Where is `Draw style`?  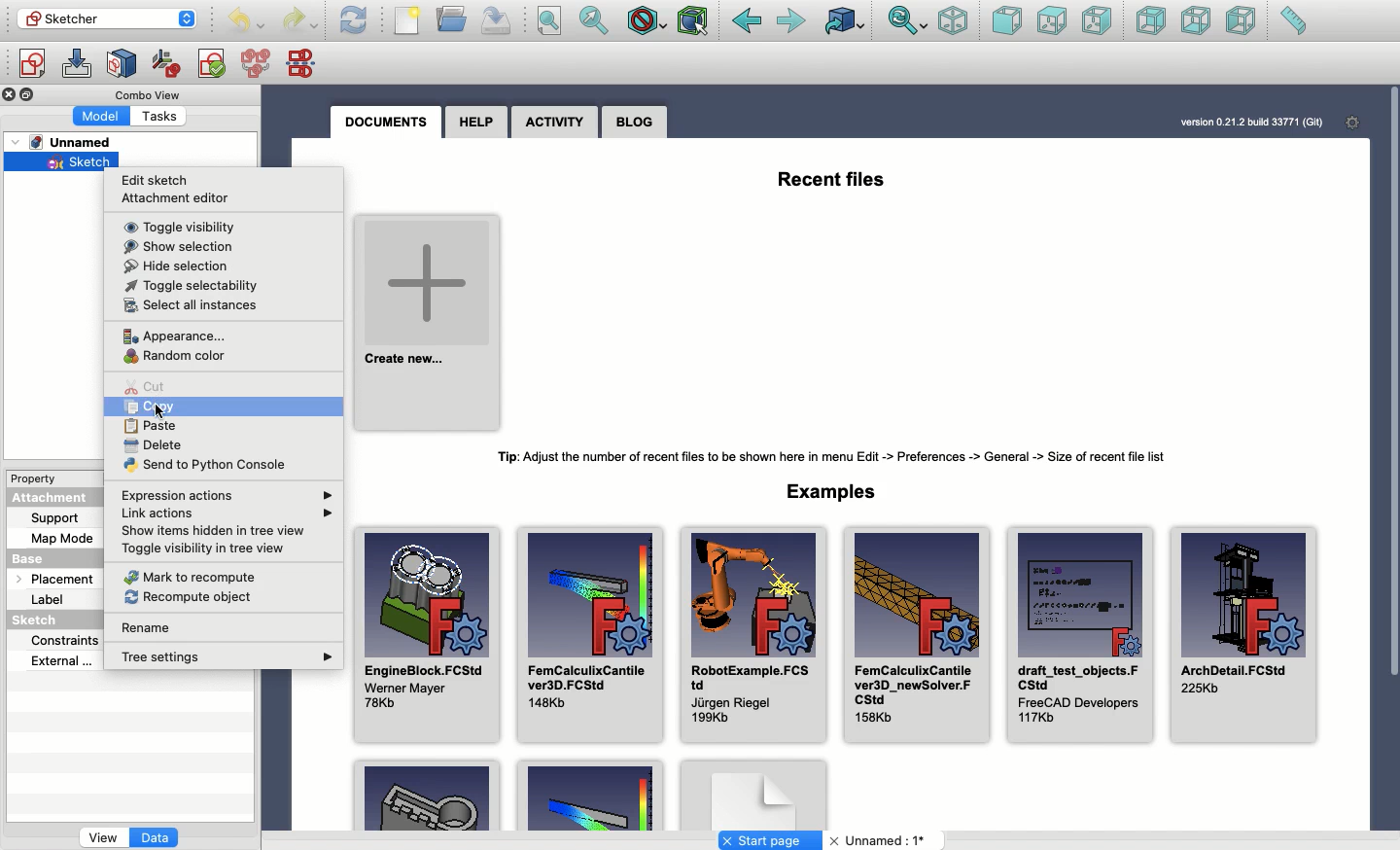
Draw style is located at coordinates (646, 23).